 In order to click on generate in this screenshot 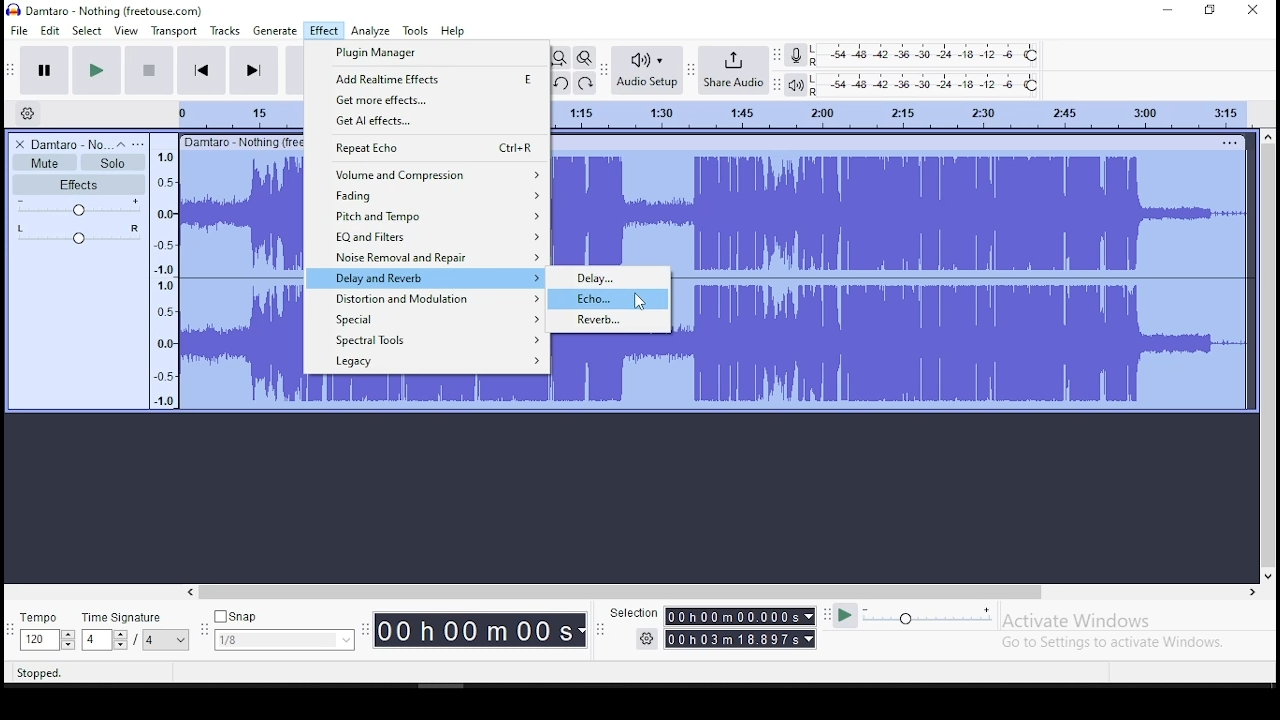, I will do `click(275, 32)`.